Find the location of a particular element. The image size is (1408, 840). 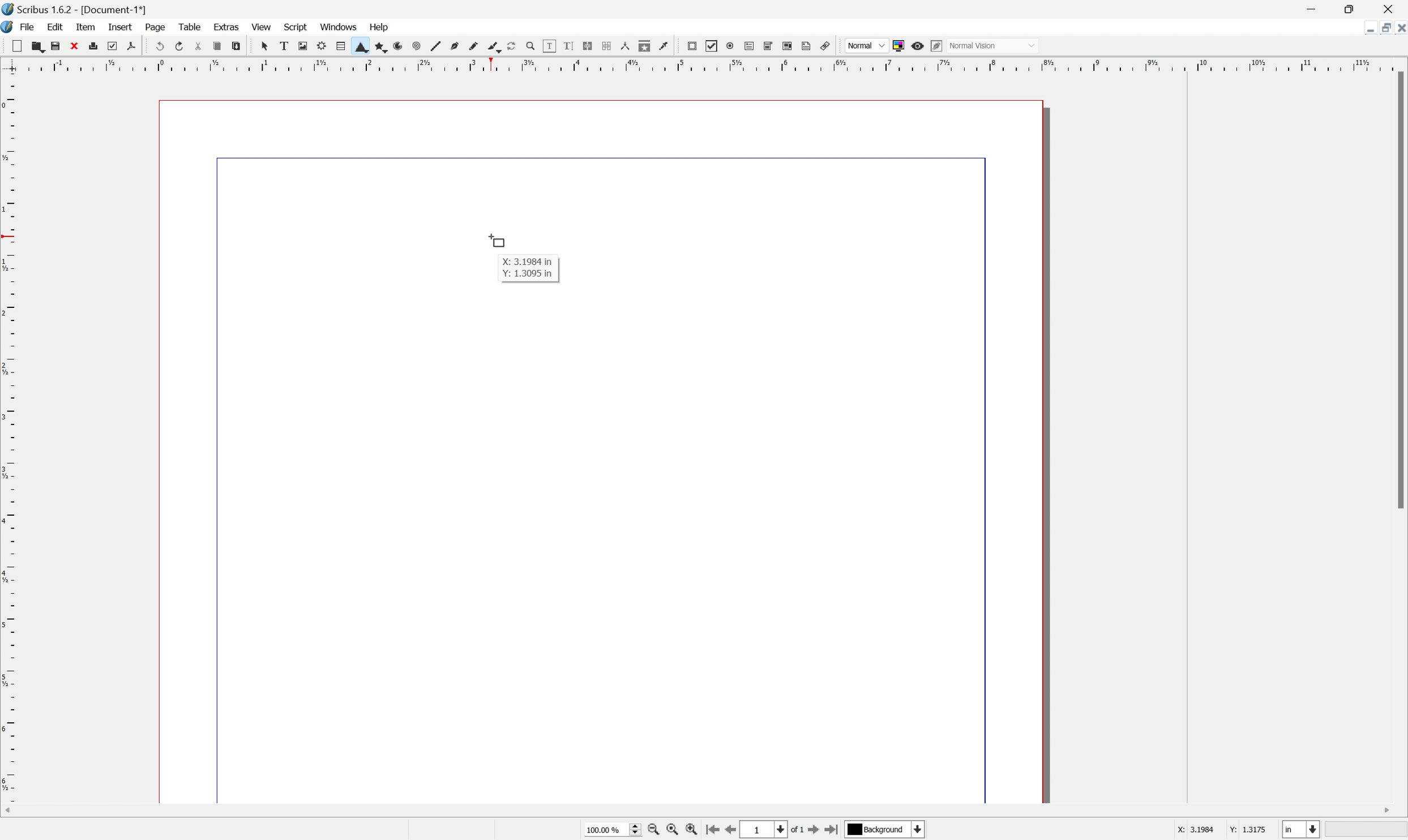

Go to first page is located at coordinates (712, 830).